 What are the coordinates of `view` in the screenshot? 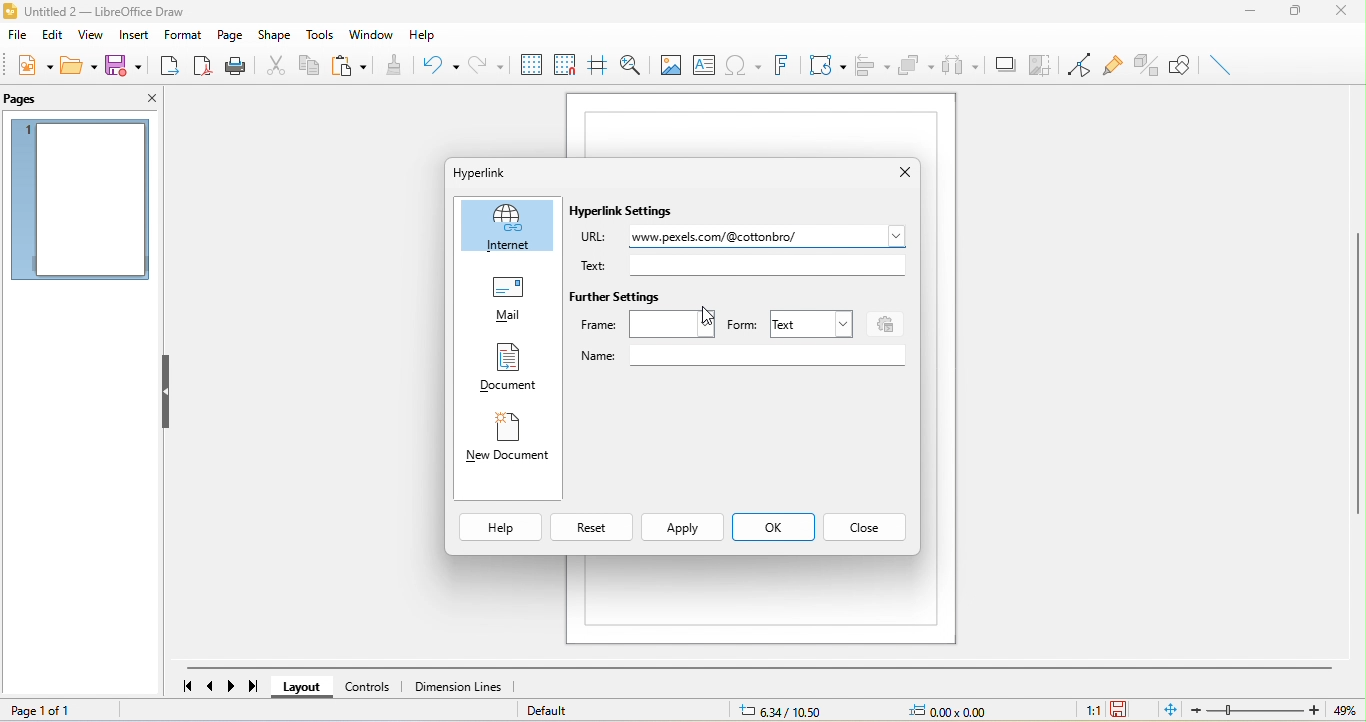 It's located at (90, 34).